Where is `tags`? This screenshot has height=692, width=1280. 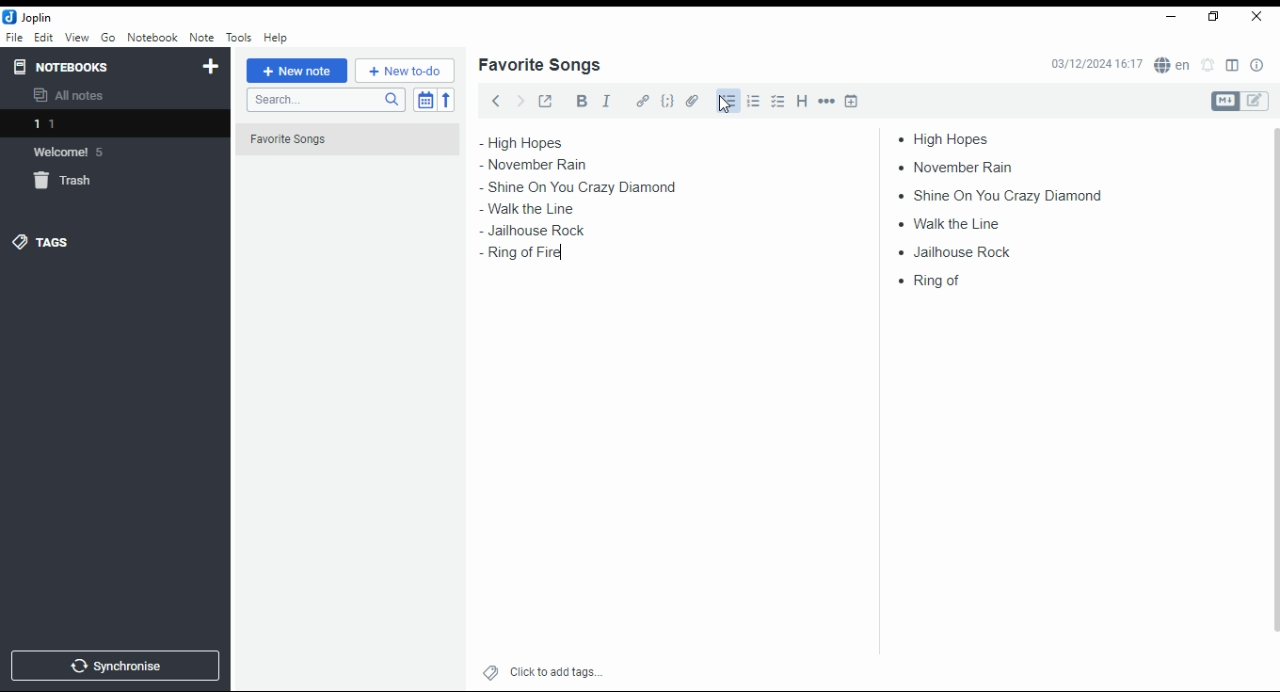
tags is located at coordinates (41, 241).